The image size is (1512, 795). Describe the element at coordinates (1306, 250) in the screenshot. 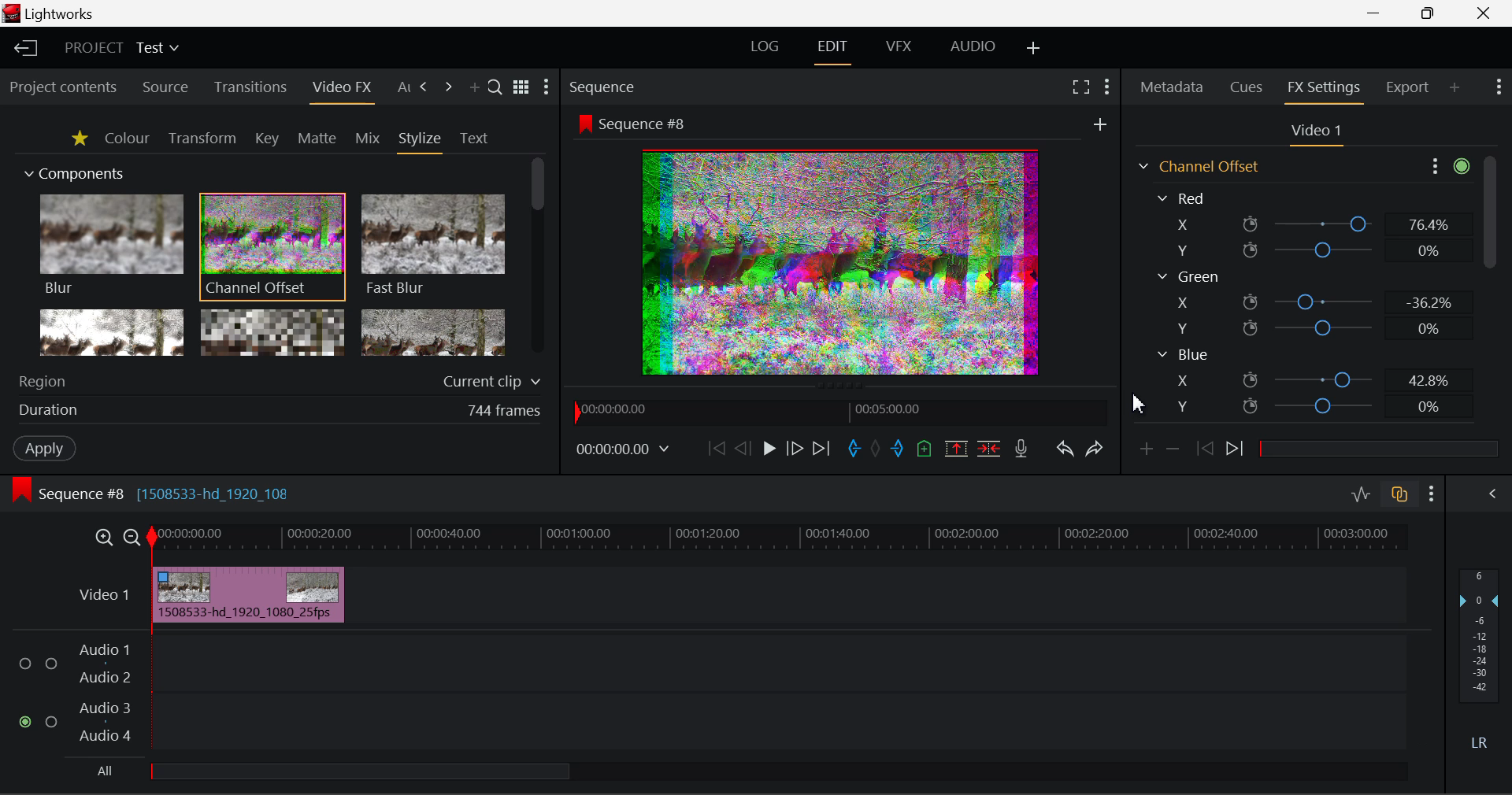

I see `Red Y` at that location.